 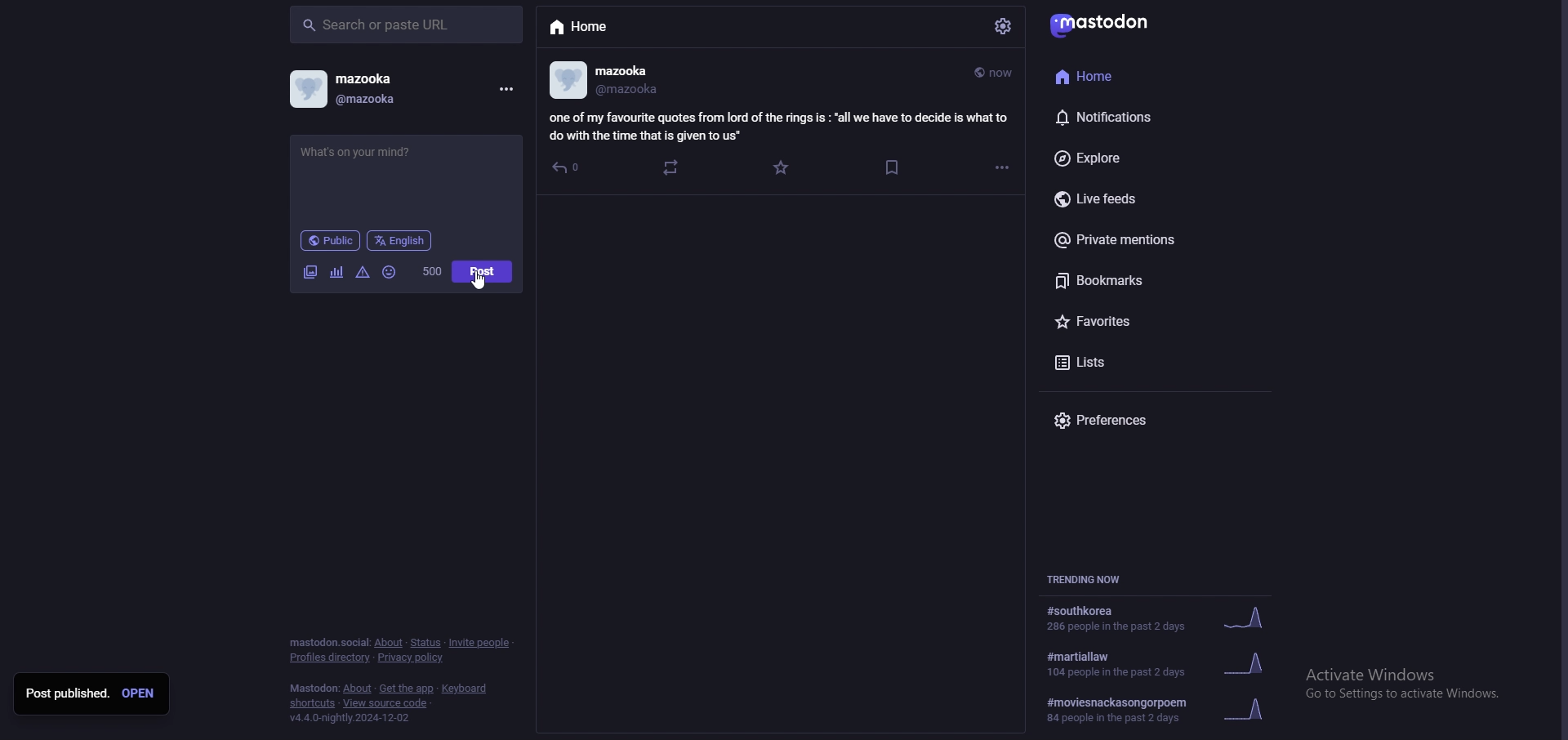 What do you see at coordinates (347, 89) in the screenshot?
I see `profile` at bounding box center [347, 89].